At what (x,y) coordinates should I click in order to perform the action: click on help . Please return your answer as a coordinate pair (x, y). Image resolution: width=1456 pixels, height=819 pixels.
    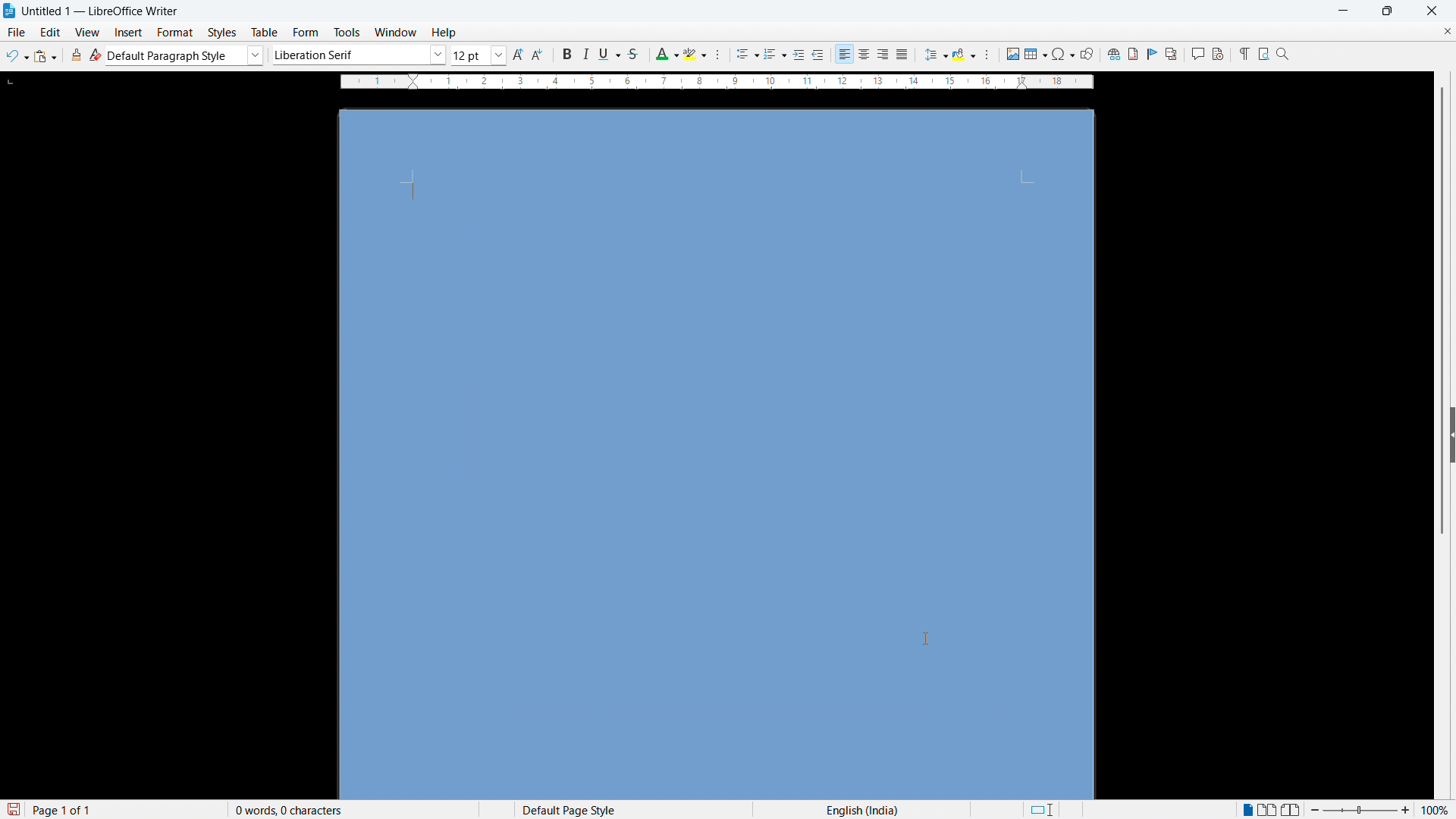
    Looking at the image, I should click on (444, 33).